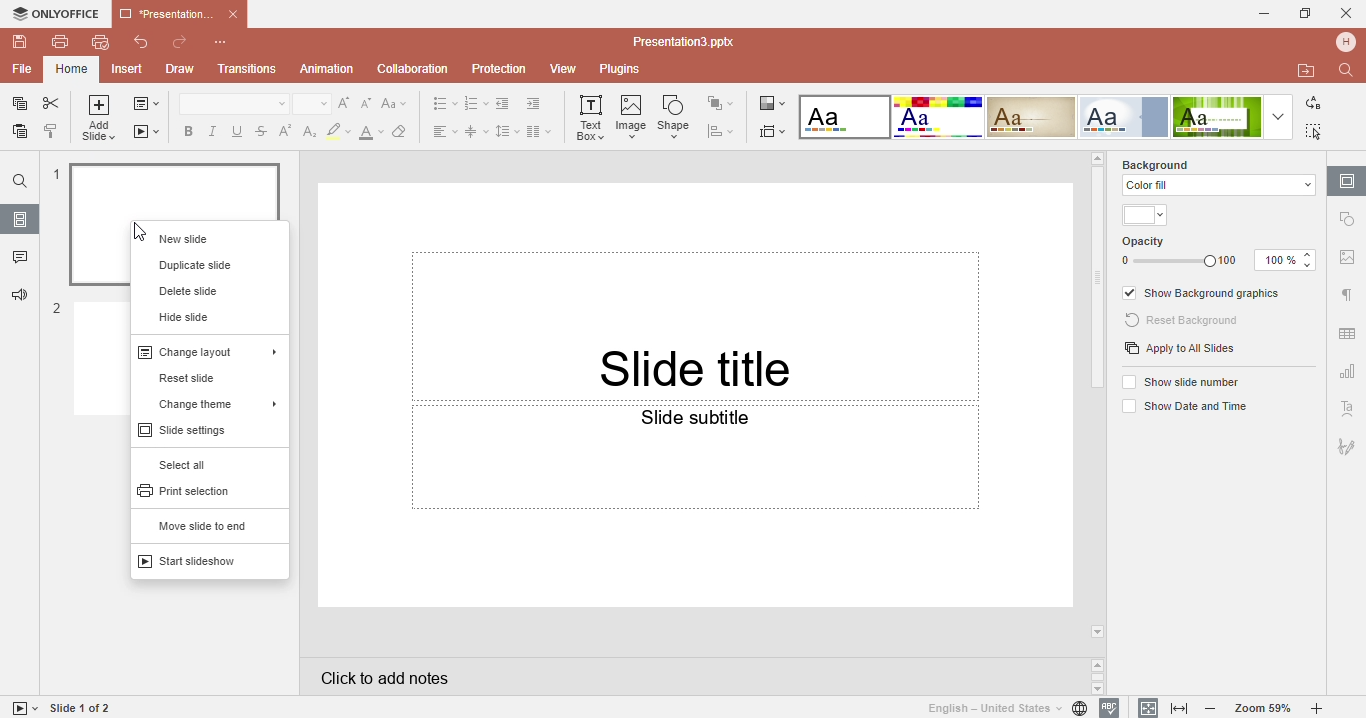  I want to click on Font color, so click(372, 130).